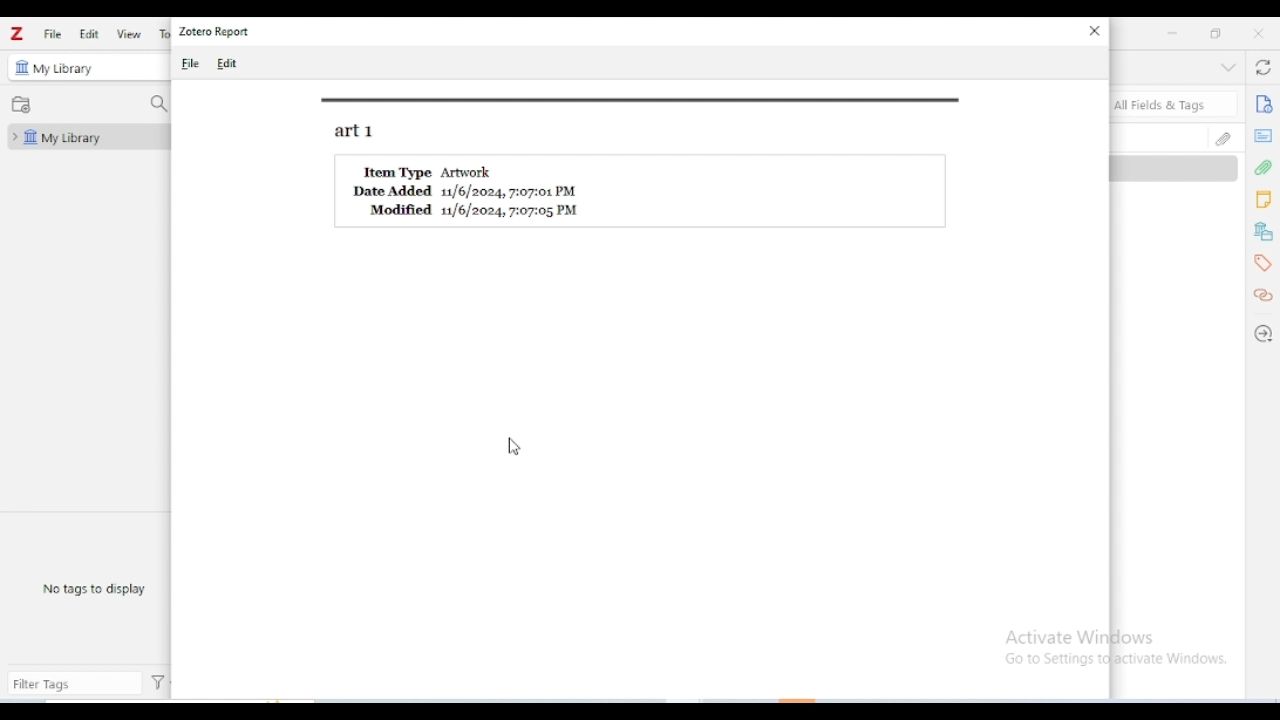 Image resolution: width=1280 pixels, height=720 pixels. I want to click on no tags to display, so click(93, 588).